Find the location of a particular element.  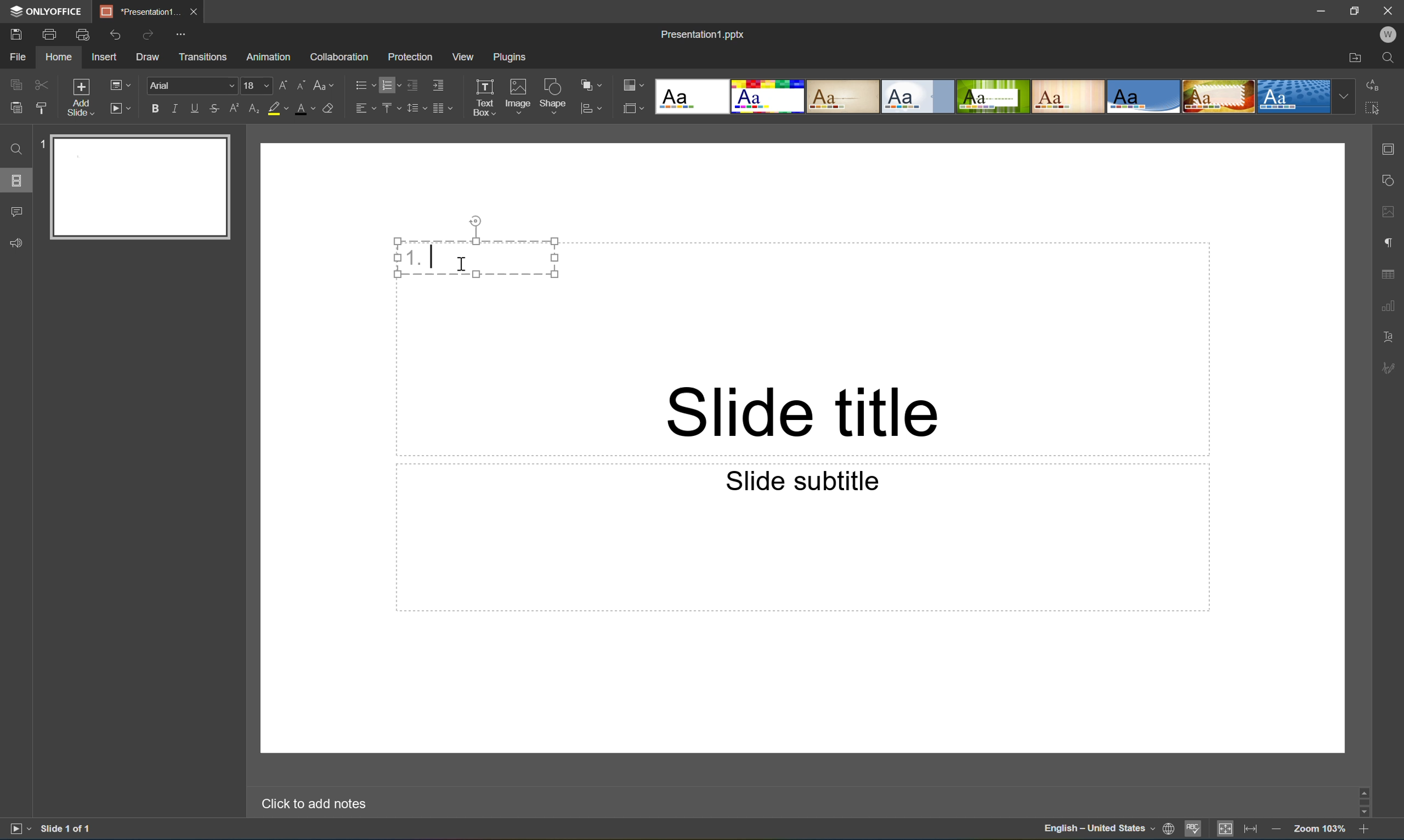

Image is located at coordinates (519, 95).